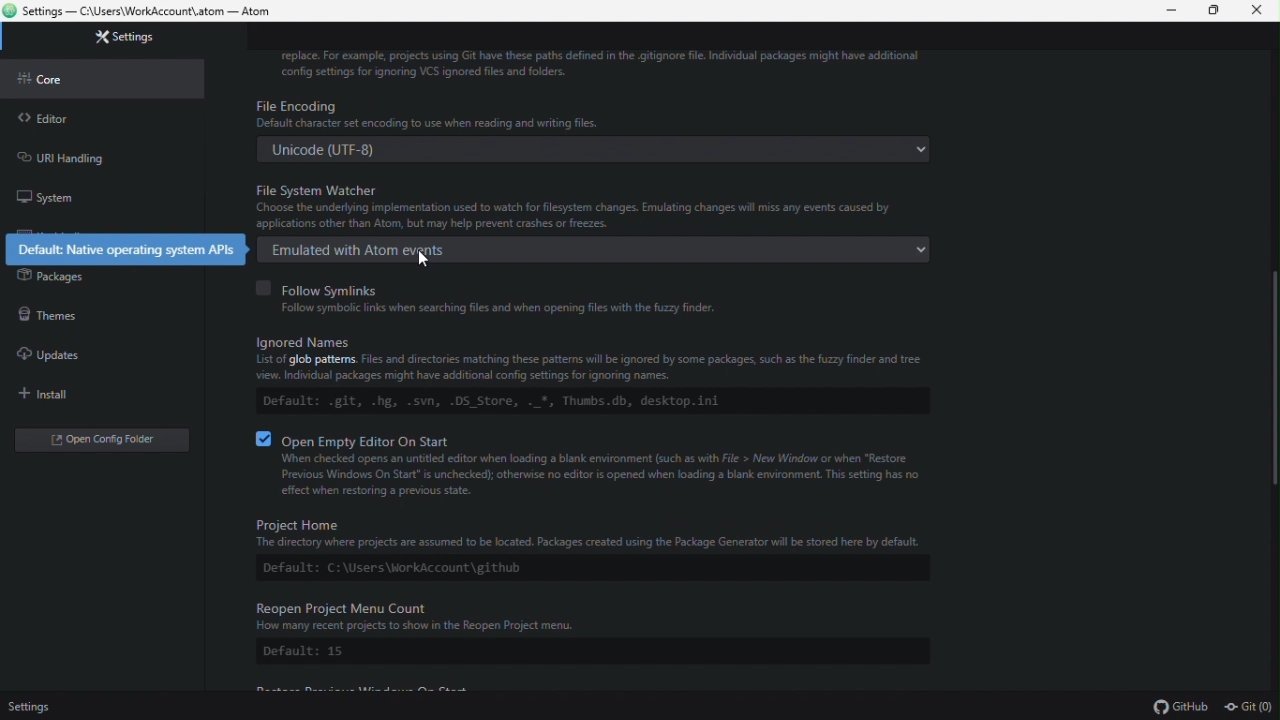 This screenshot has width=1280, height=720. Describe the element at coordinates (1184, 708) in the screenshot. I see `github` at that location.